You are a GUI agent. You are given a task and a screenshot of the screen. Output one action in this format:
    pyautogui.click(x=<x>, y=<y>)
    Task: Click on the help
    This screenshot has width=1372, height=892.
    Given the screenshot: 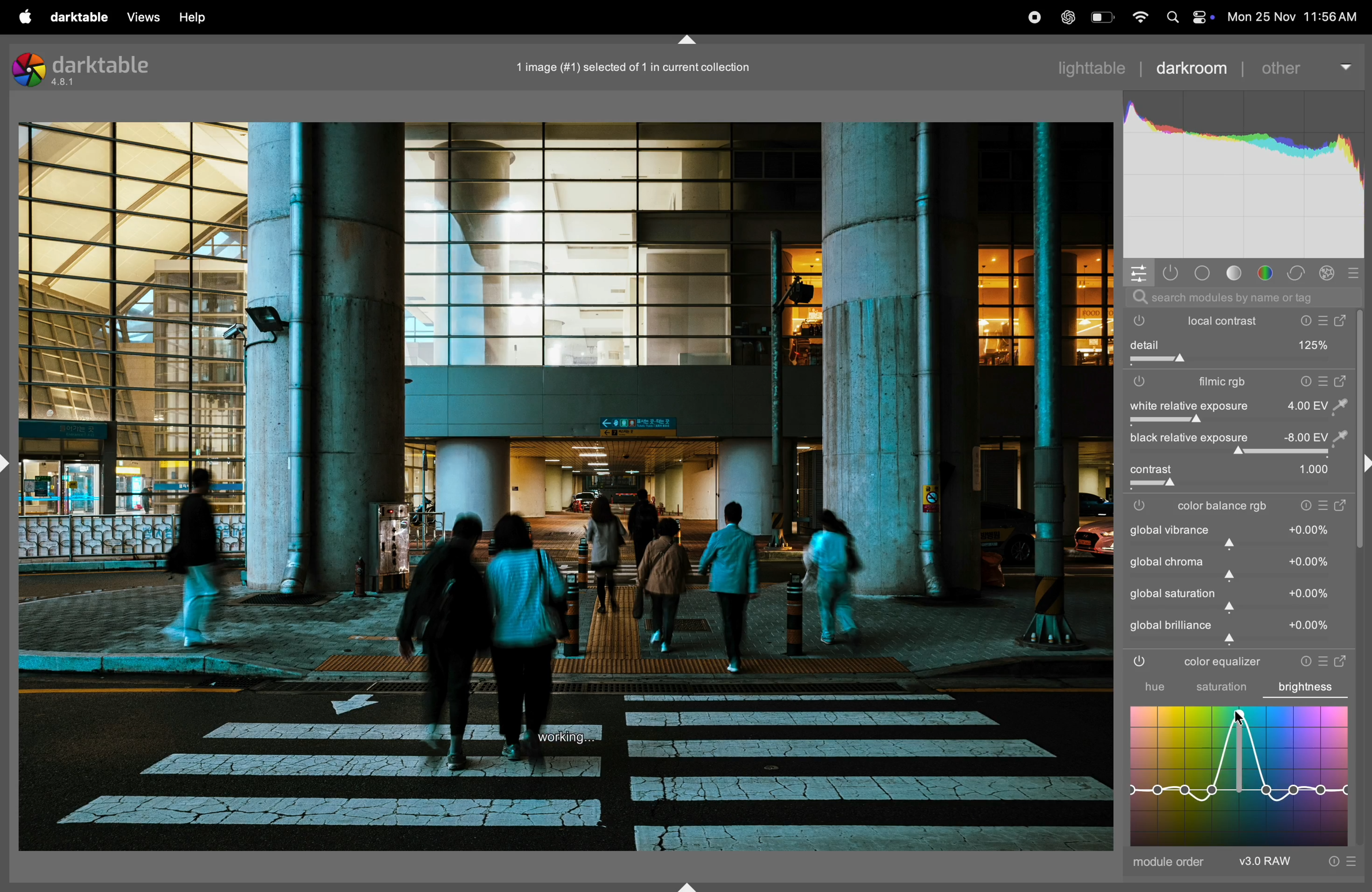 What is the action you would take?
    pyautogui.click(x=193, y=17)
    